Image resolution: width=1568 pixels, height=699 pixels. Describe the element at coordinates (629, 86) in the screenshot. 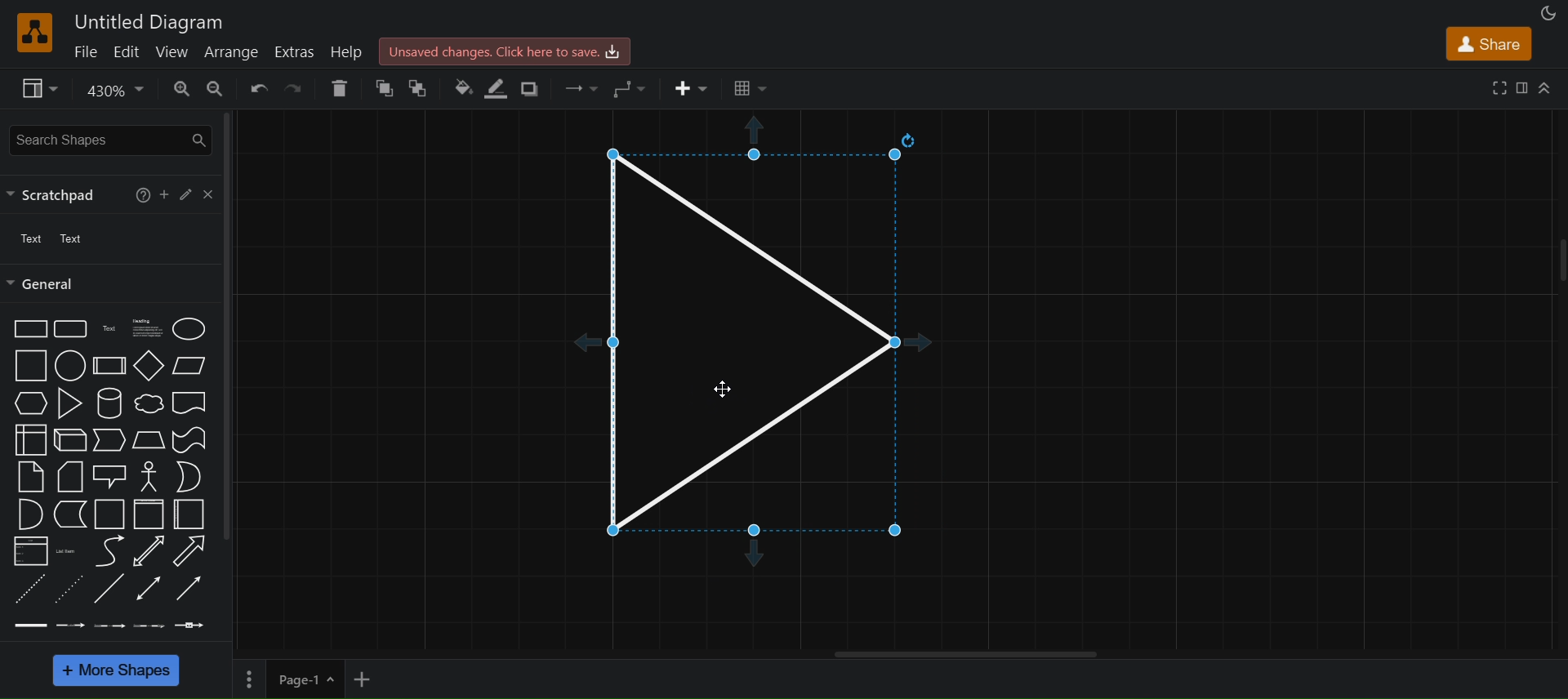

I see `waypoints` at that location.